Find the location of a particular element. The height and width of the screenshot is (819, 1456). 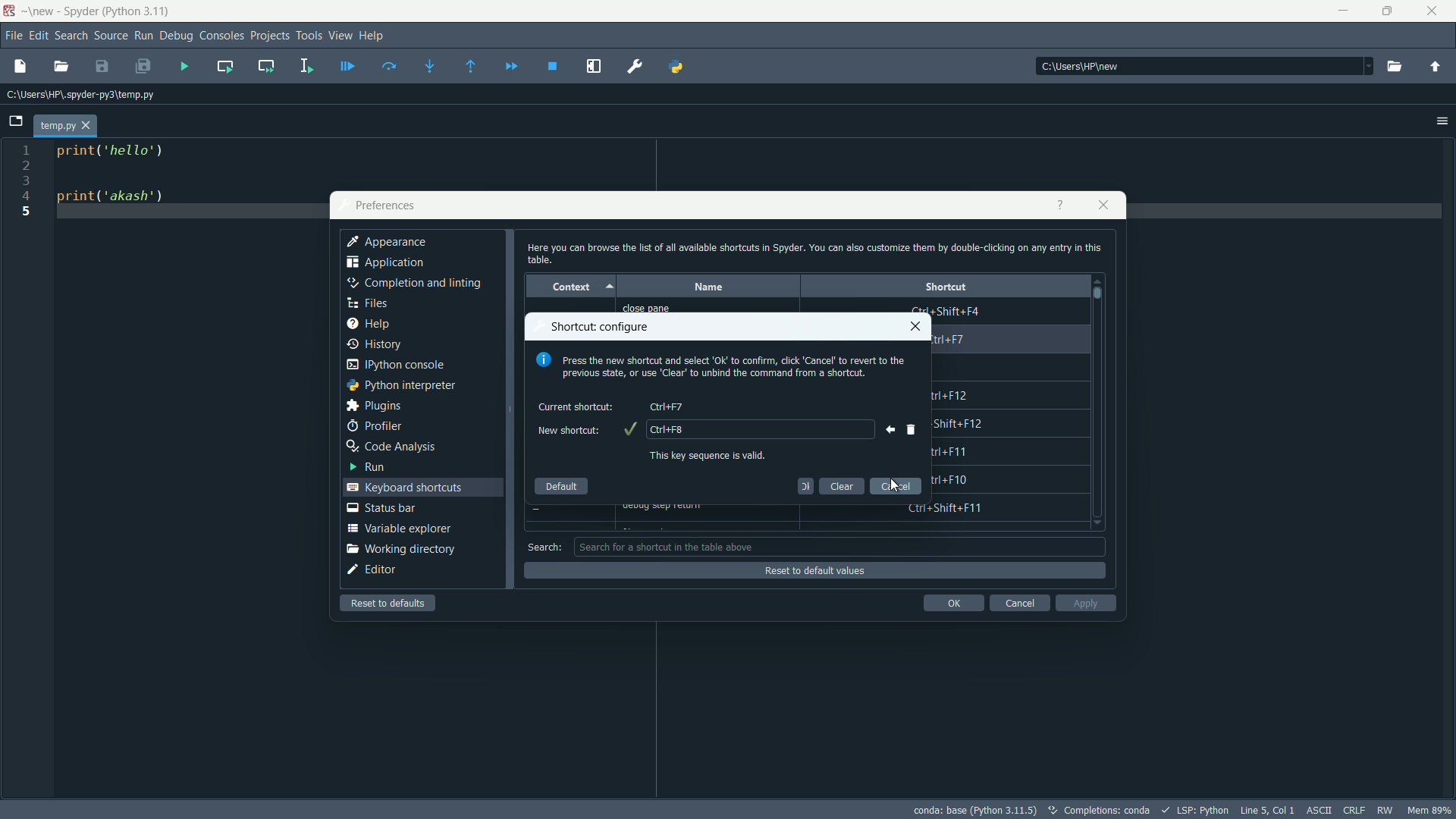

projects menu is located at coordinates (270, 36).